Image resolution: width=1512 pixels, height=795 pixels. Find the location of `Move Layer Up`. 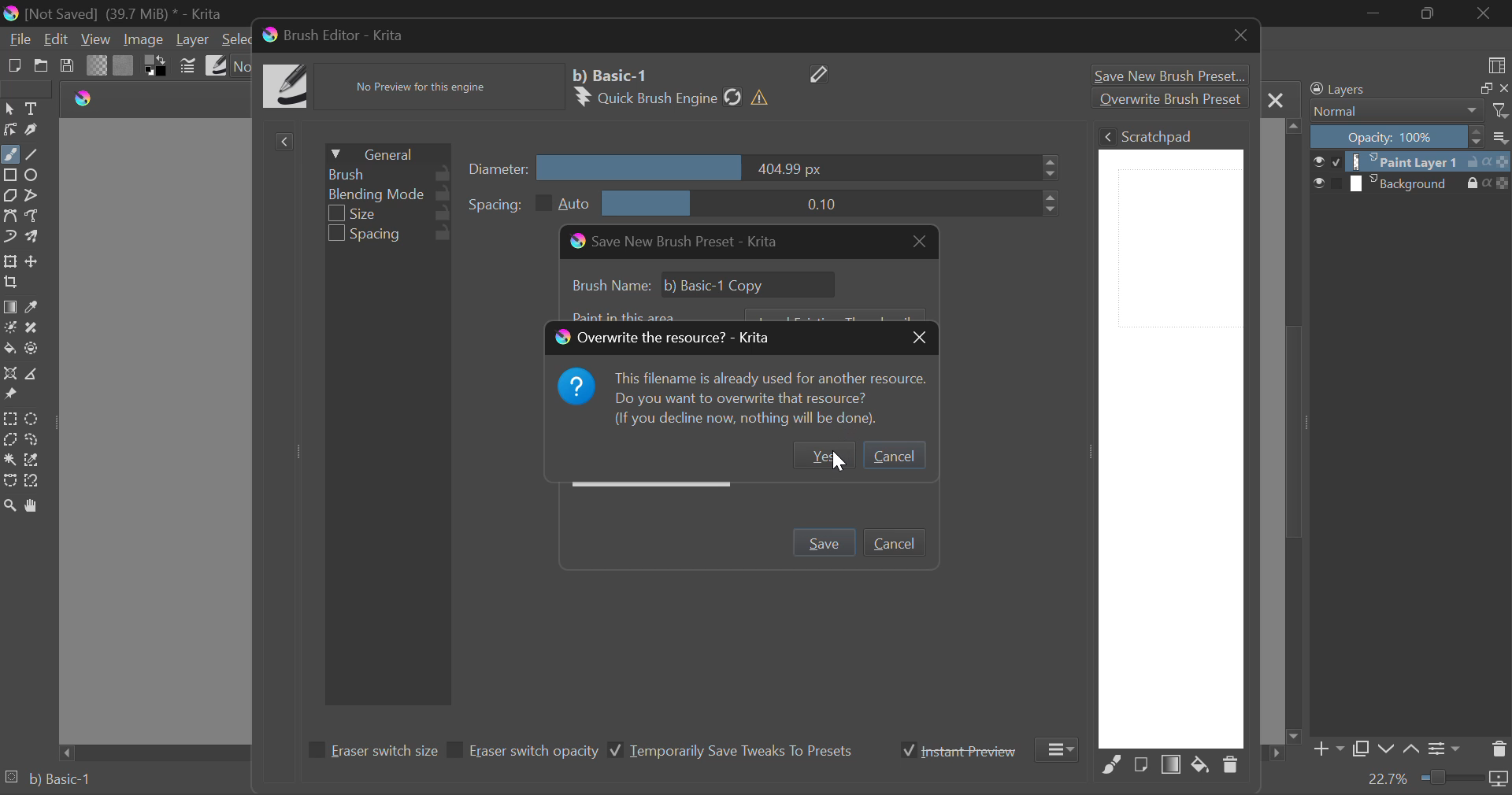

Move Layer Up is located at coordinates (1411, 751).